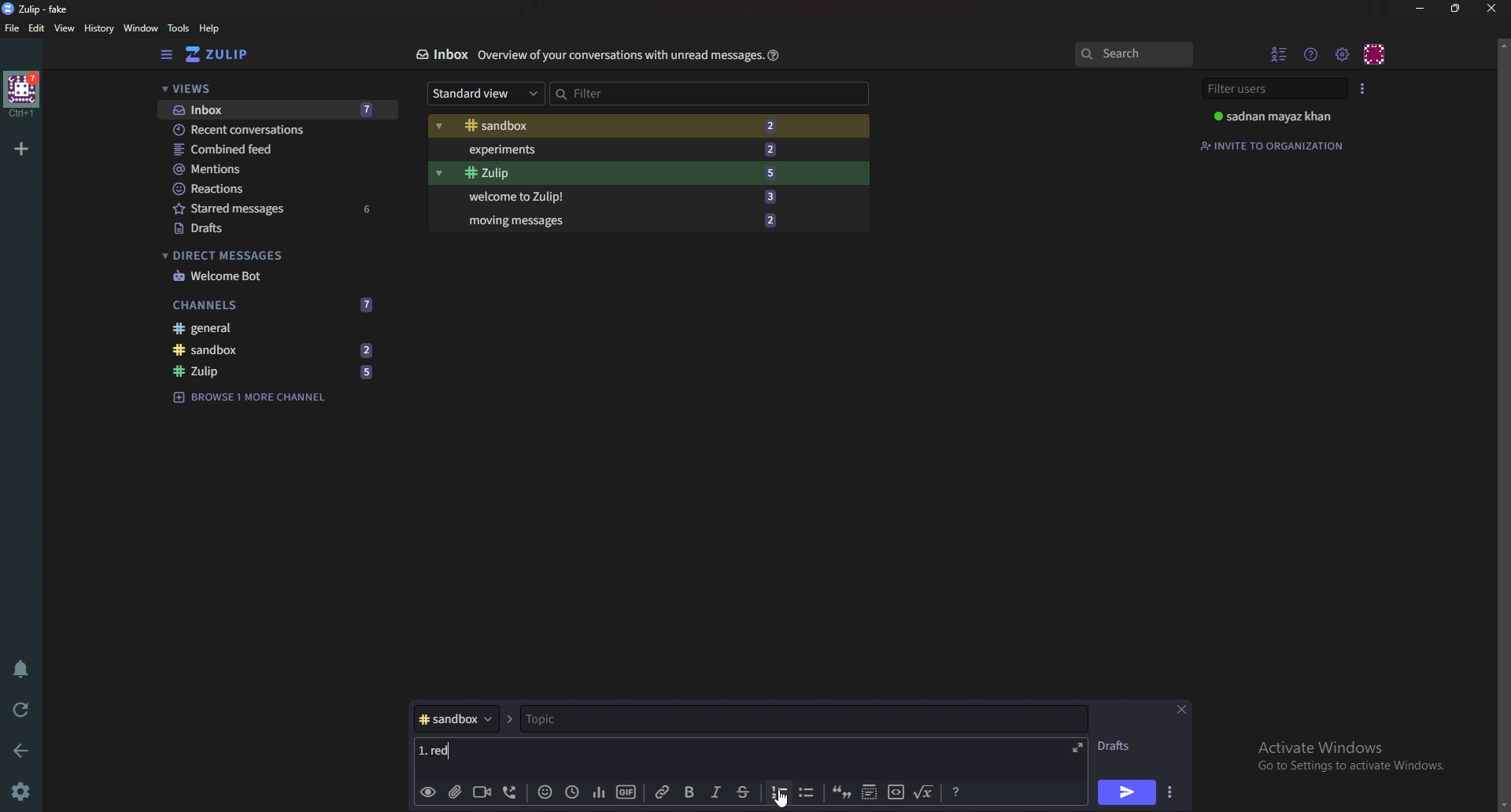 This screenshot has height=812, width=1511. Describe the element at coordinates (625, 790) in the screenshot. I see `gif` at that location.